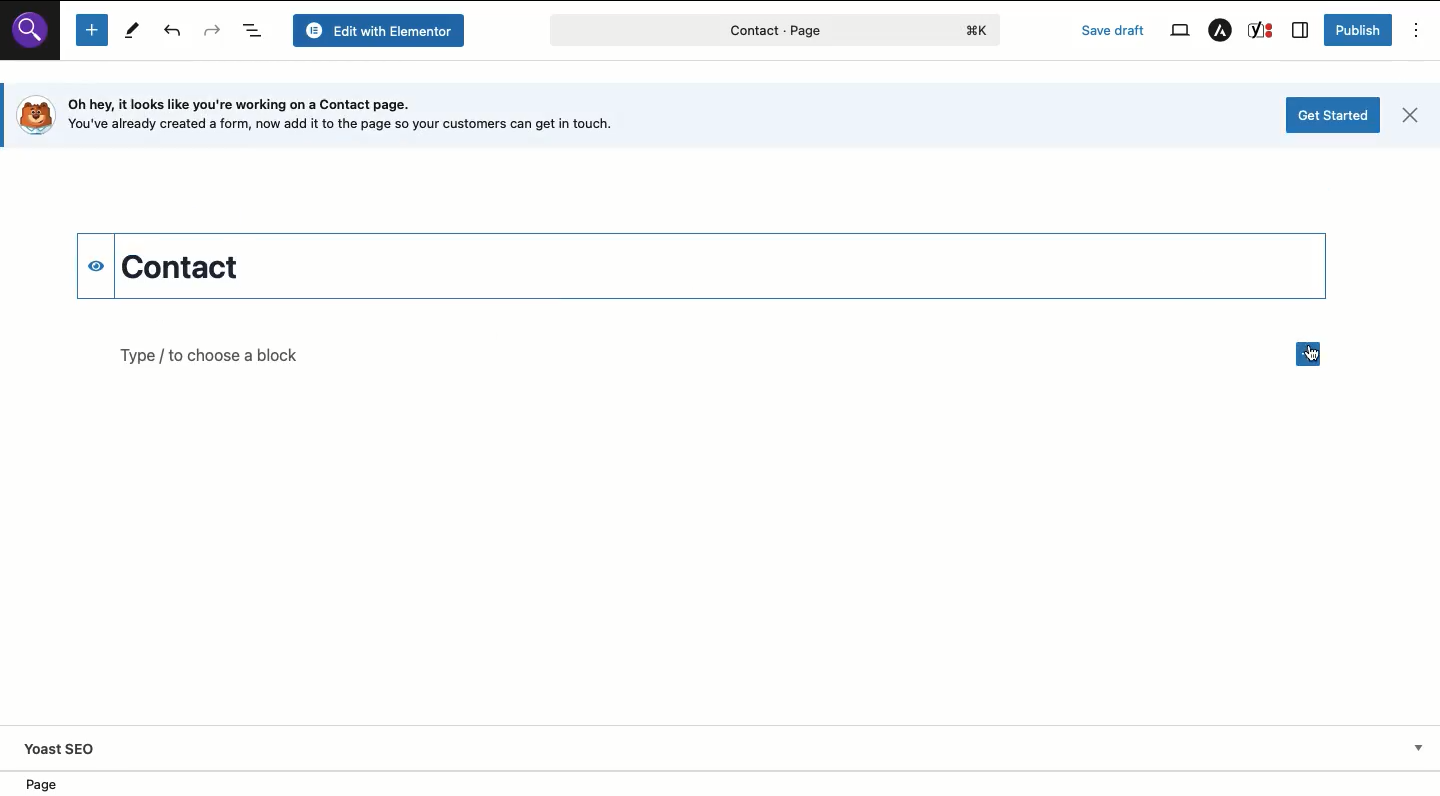 This screenshot has height=796, width=1440. Describe the element at coordinates (1307, 354) in the screenshot. I see `Add new block` at that location.